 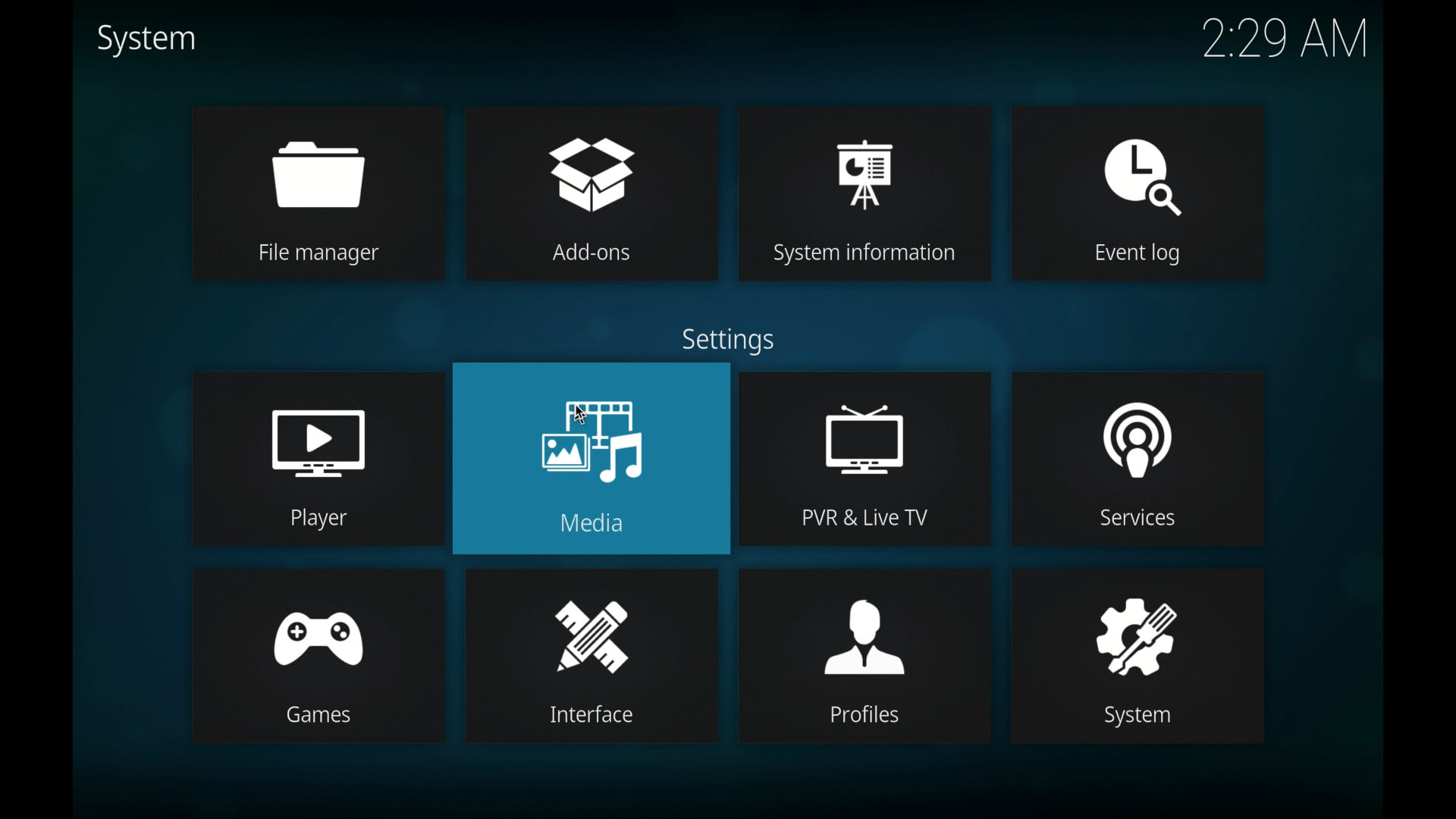 I want to click on settings, so click(x=729, y=340).